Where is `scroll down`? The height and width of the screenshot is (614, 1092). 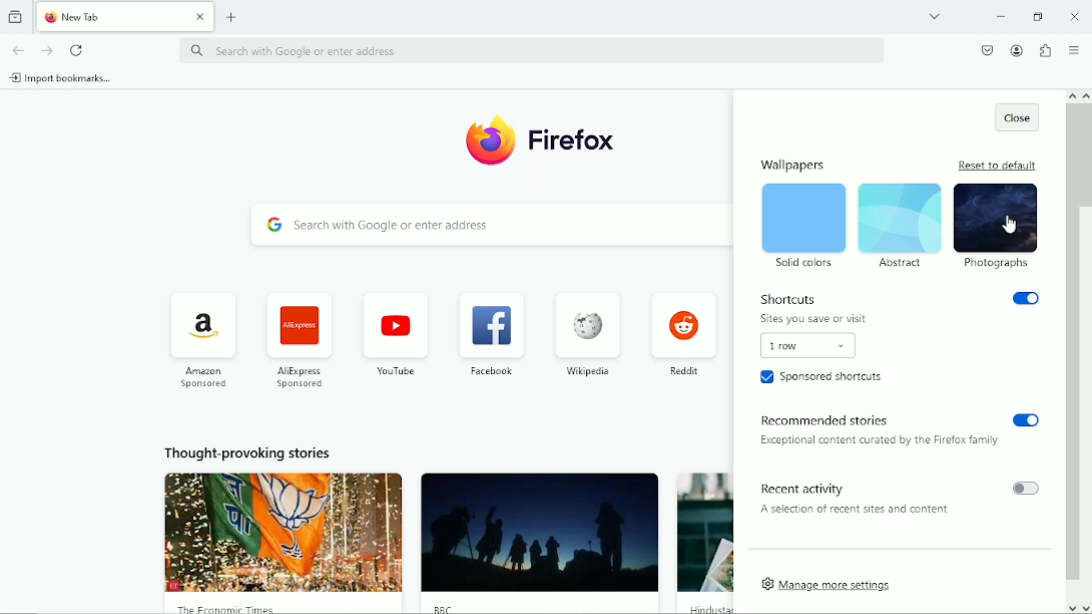 scroll down is located at coordinates (1085, 608).